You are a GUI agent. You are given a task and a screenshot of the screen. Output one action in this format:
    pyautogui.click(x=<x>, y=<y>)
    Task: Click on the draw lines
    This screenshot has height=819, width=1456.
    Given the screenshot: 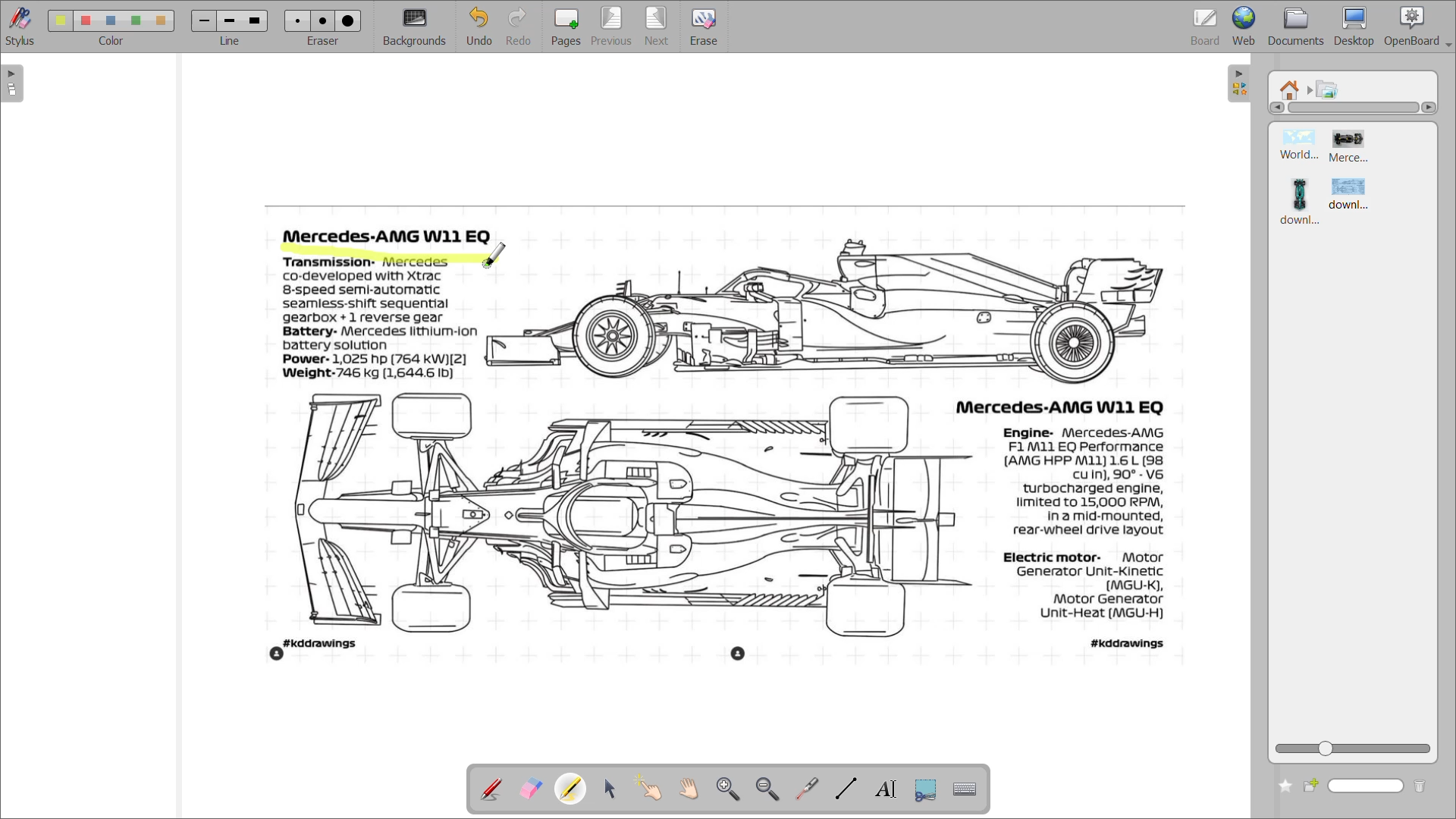 What is the action you would take?
    pyautogui.click(x=849, y=787)
    